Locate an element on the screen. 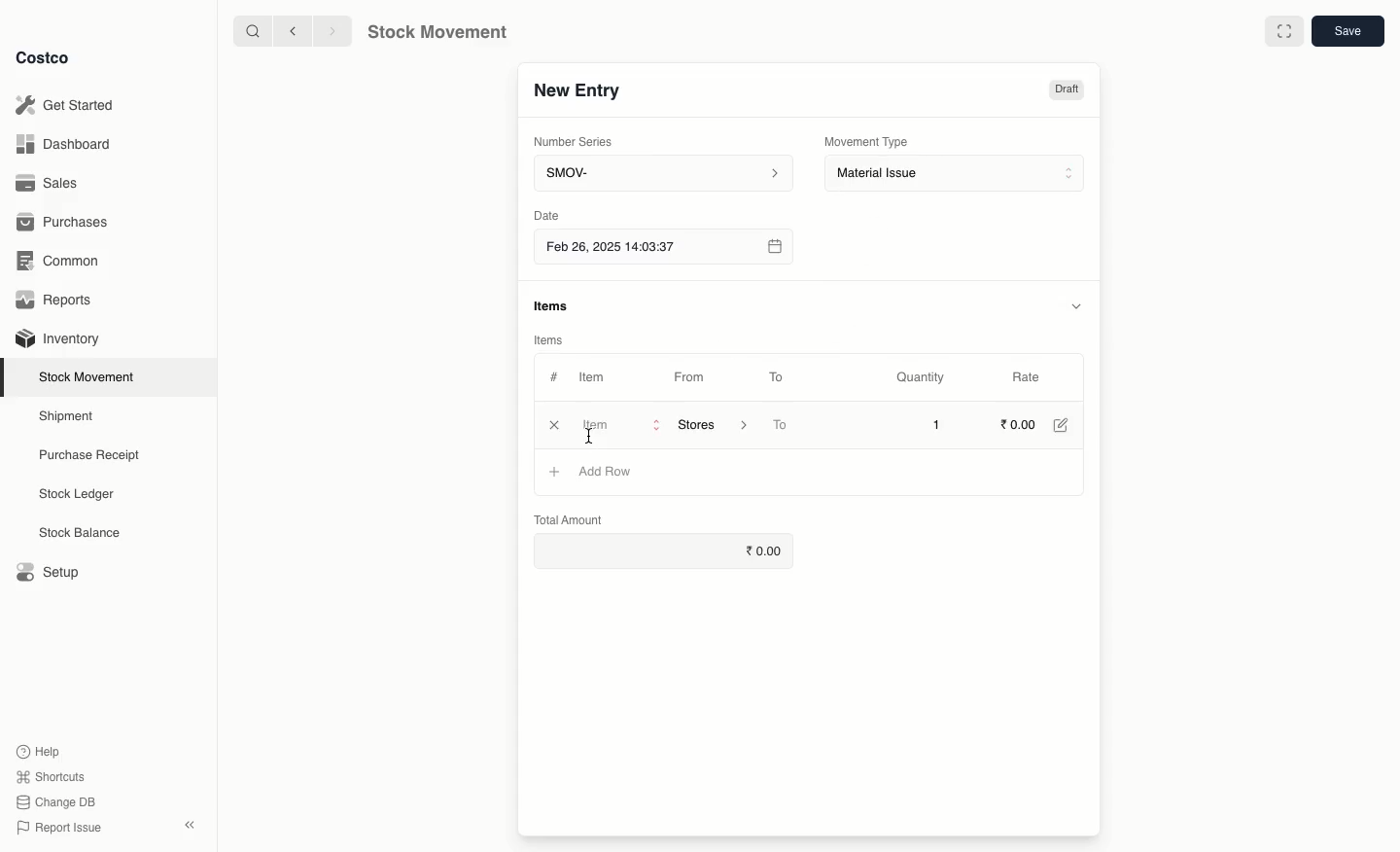  Dashboard is located at coordinates (65, 146).